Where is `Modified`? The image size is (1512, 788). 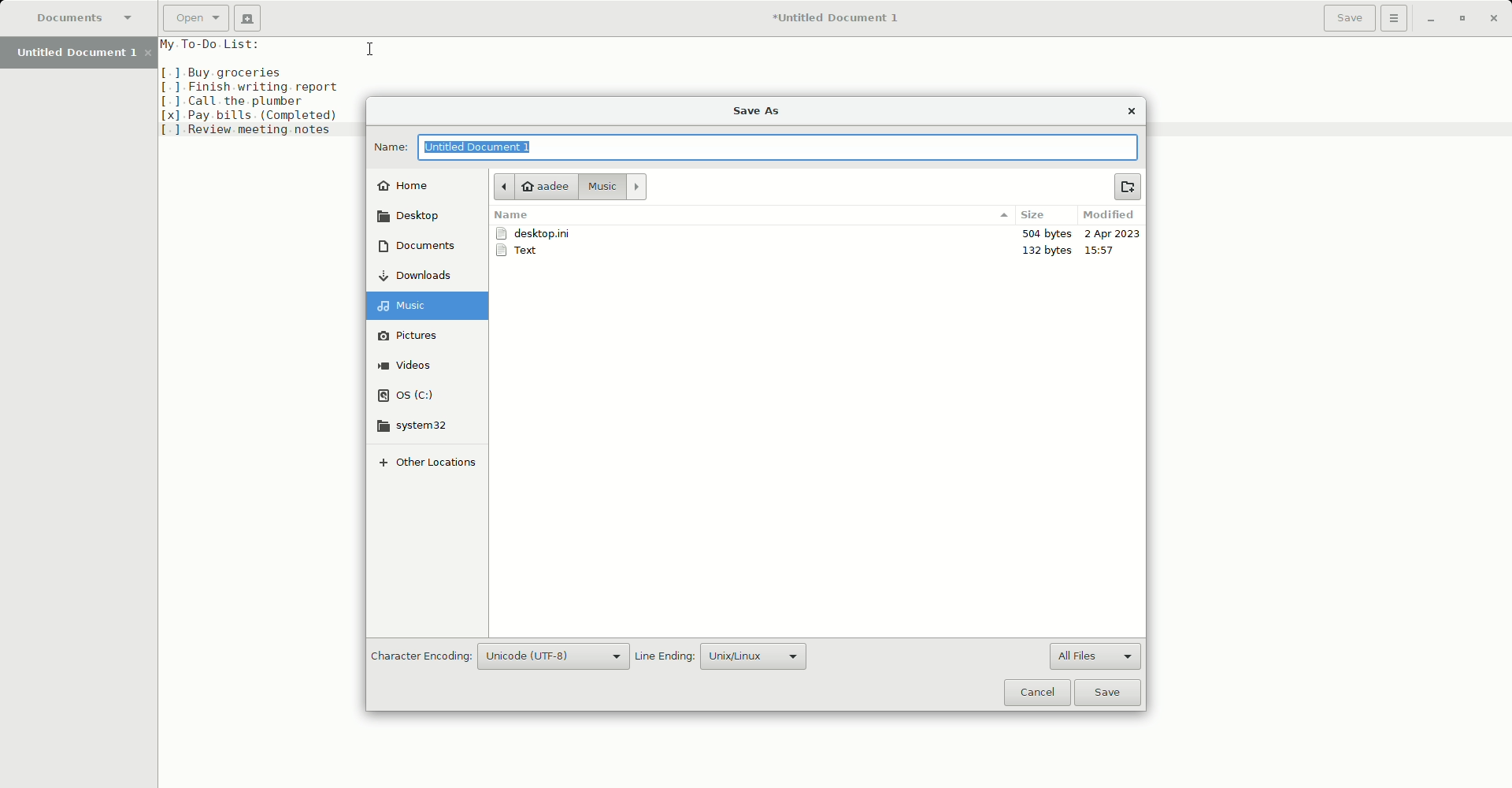 Modified is located at coordinates (1110, 217).